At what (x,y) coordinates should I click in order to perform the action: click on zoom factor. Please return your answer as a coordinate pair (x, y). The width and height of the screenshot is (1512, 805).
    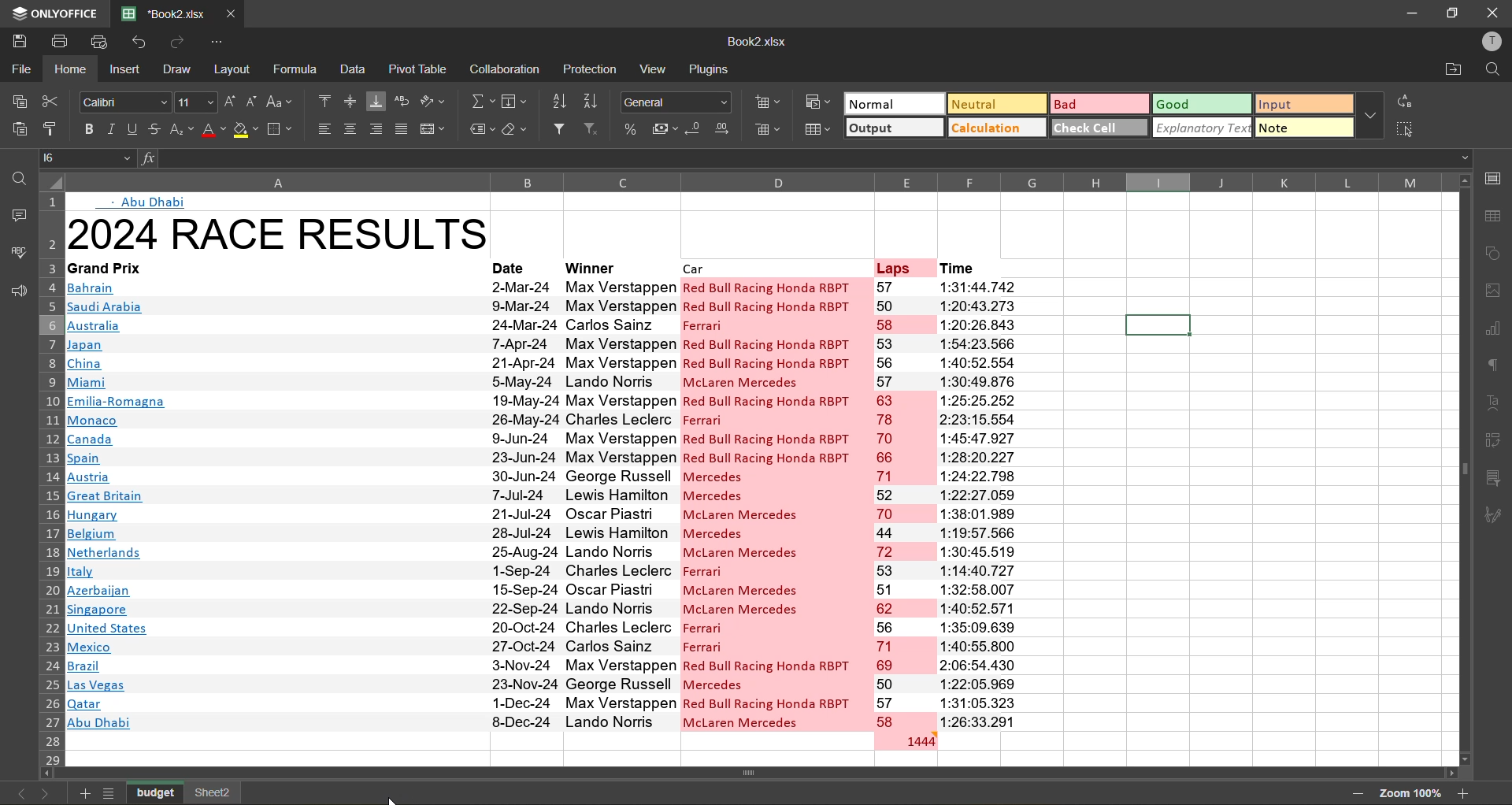
    Looking at the image, I should click on (1409, 793).